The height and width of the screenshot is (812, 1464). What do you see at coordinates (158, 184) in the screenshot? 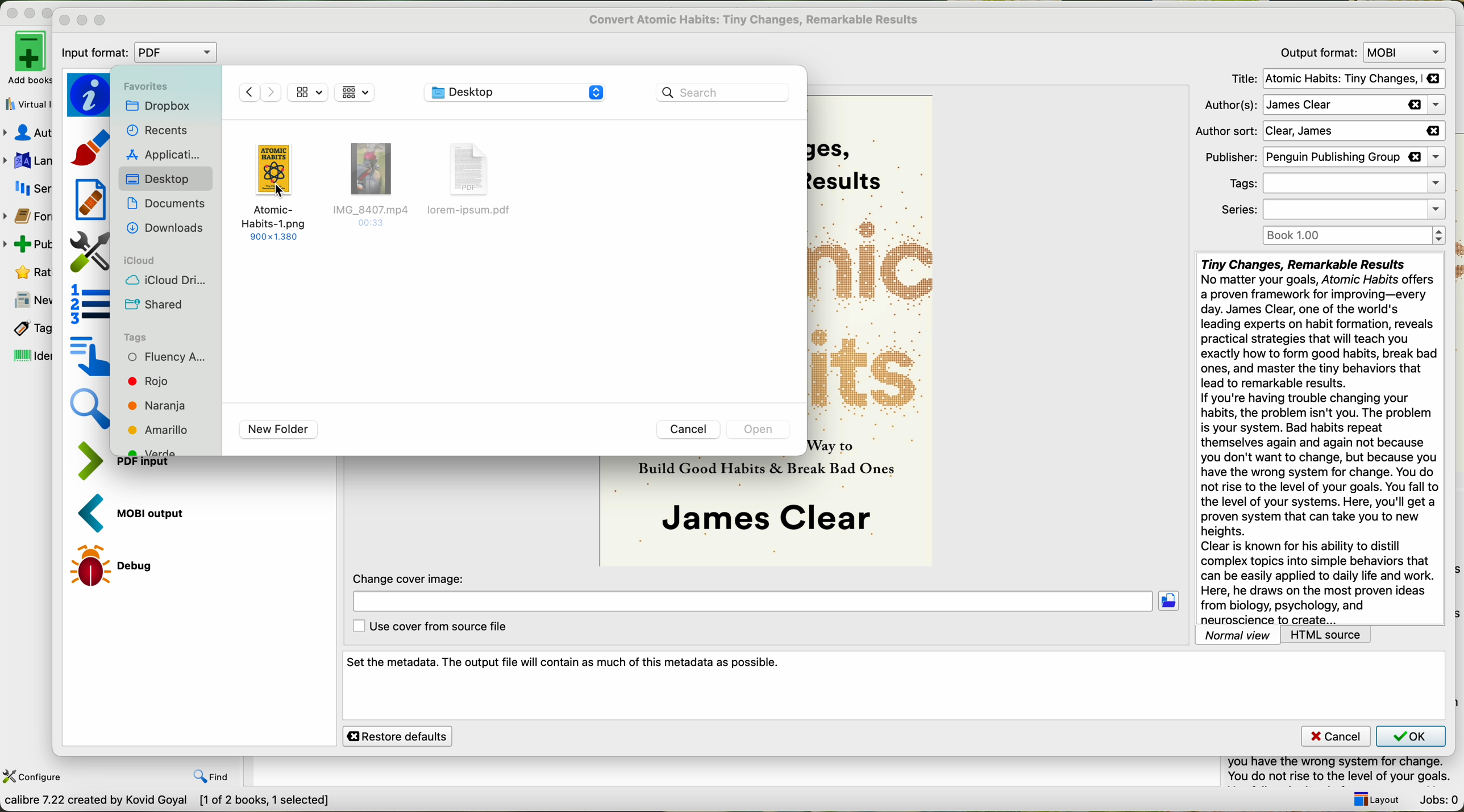
I see `click on desktop` at bounding box center [158, 184].